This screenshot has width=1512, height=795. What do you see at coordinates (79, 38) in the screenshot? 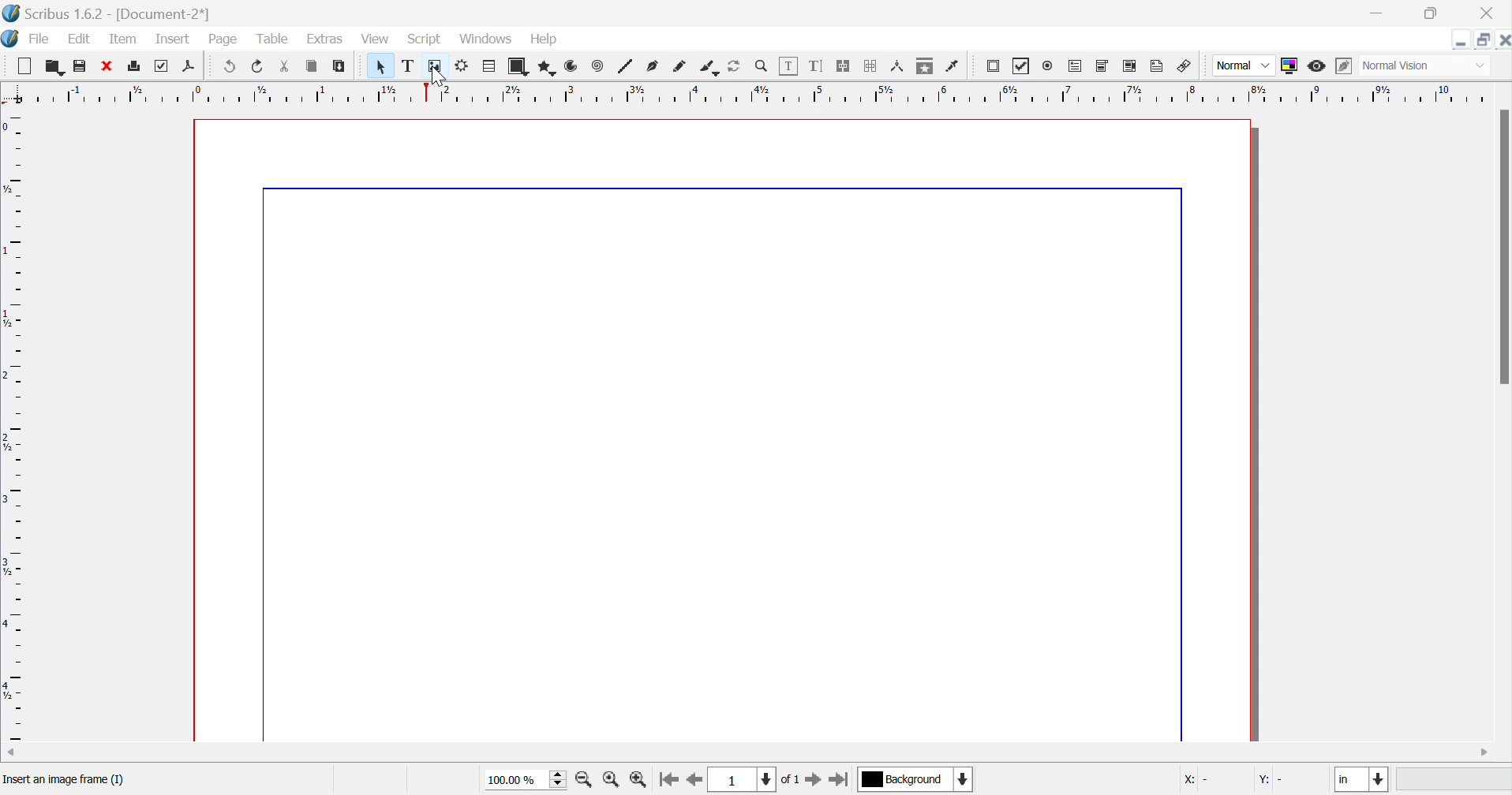
I see `edit` at bounding box center [79, 38].